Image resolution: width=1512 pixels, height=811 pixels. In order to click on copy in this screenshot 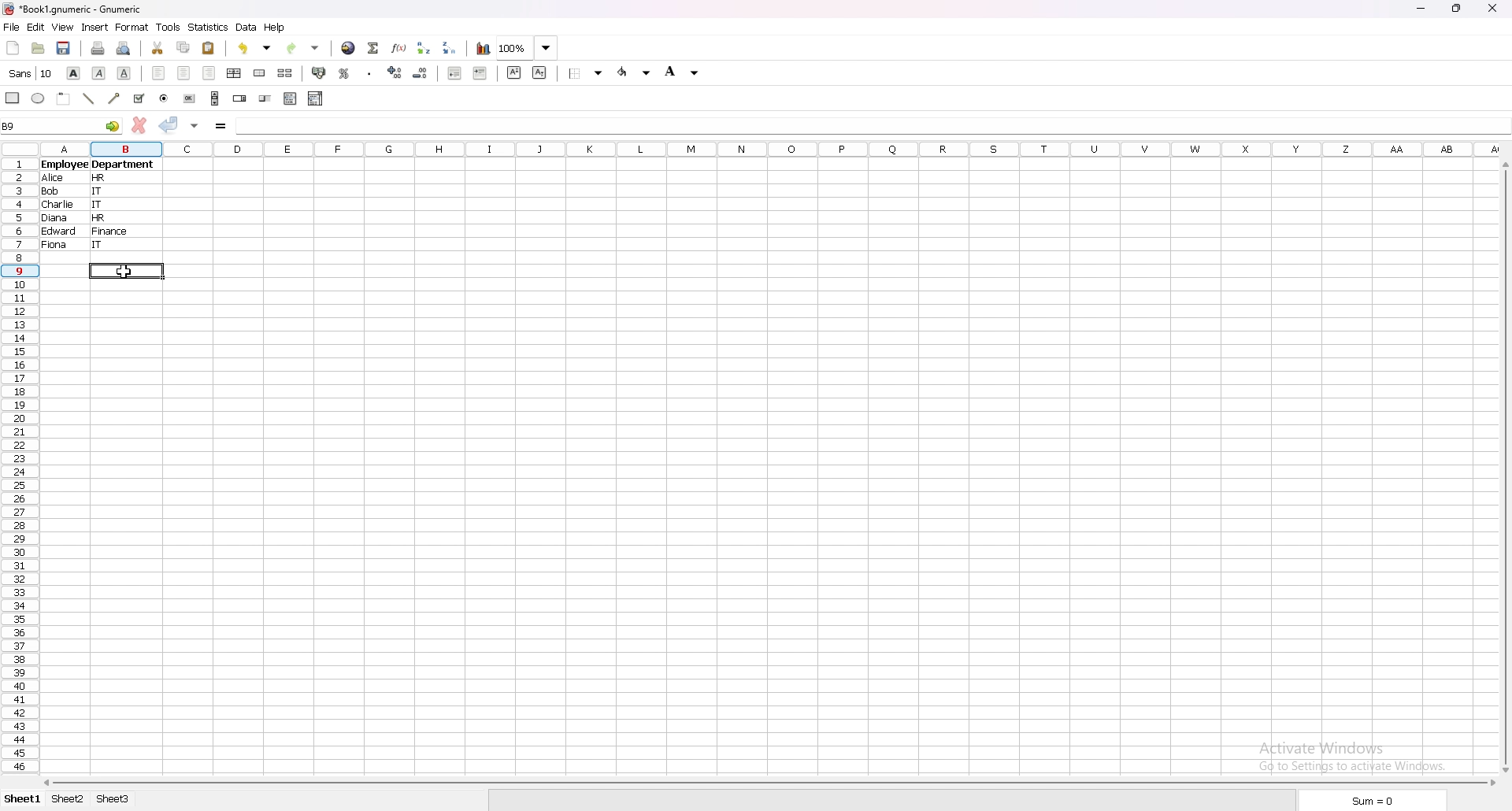, I will do `click(183, 47)`.